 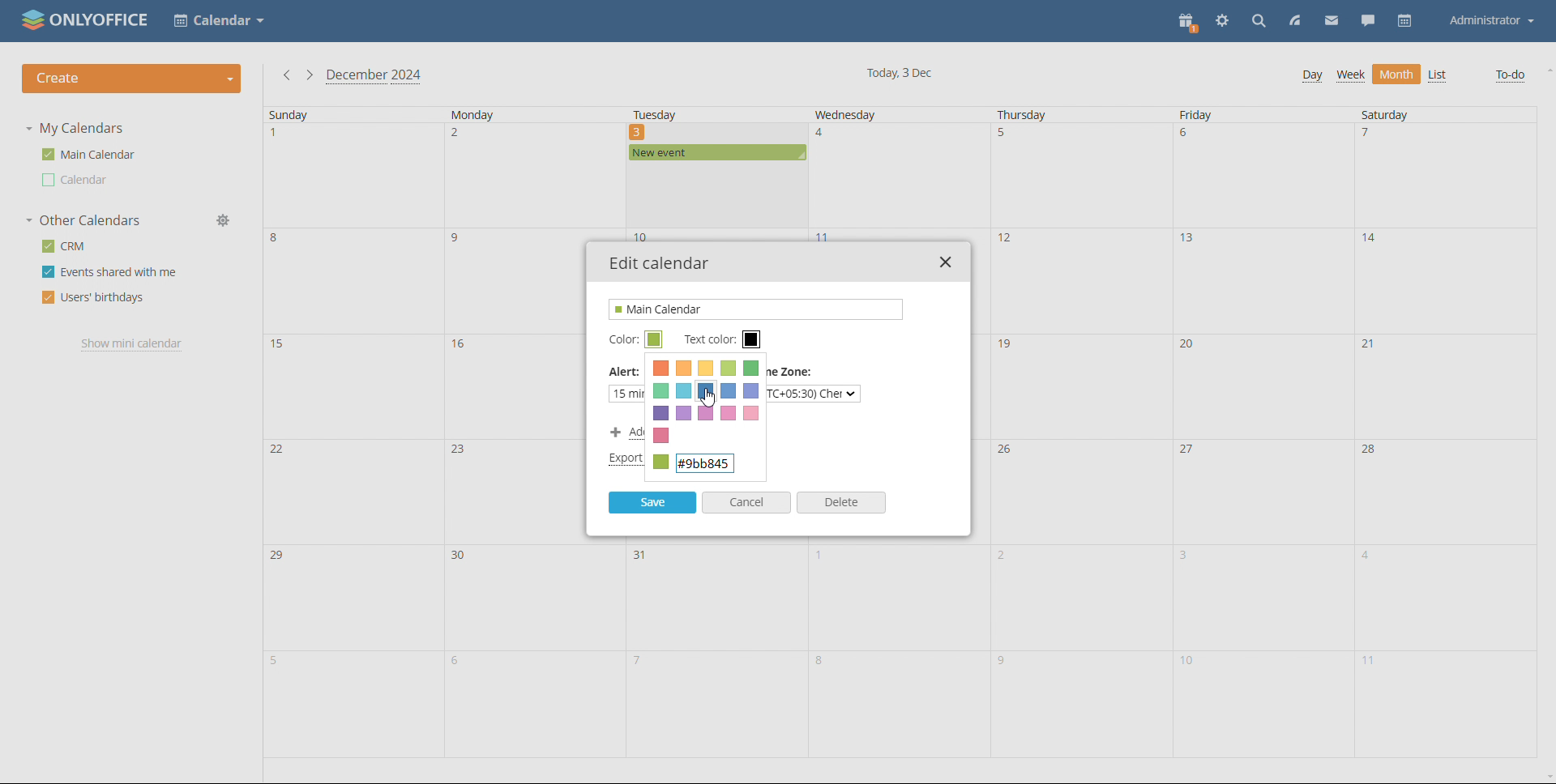 What do you see at coordinates (309, 75) in the screenshot?
I see `next month` at bounding box center [309, 75].